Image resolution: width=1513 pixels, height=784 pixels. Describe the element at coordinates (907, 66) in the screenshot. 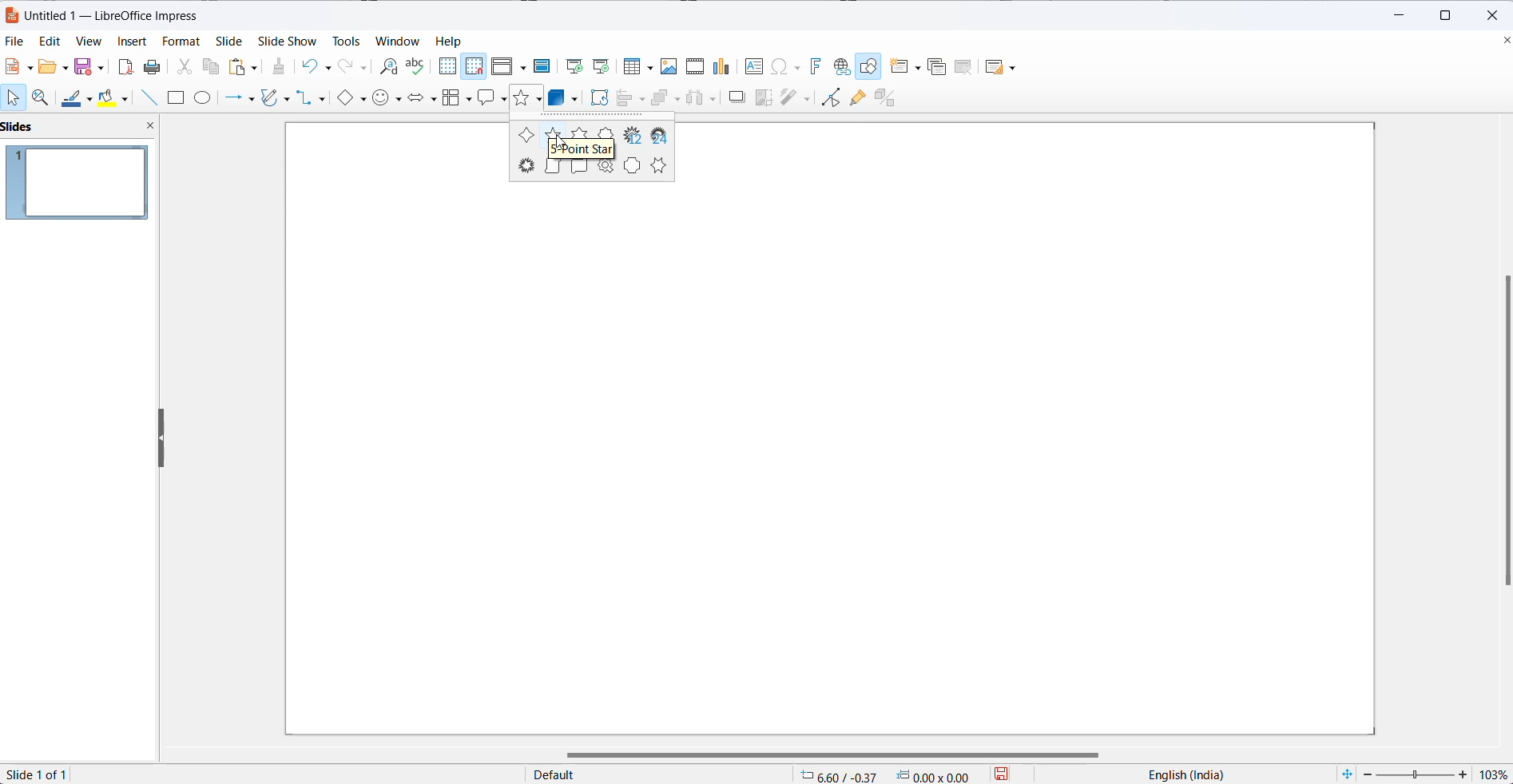

I see `NEW SLIDE` at that location.